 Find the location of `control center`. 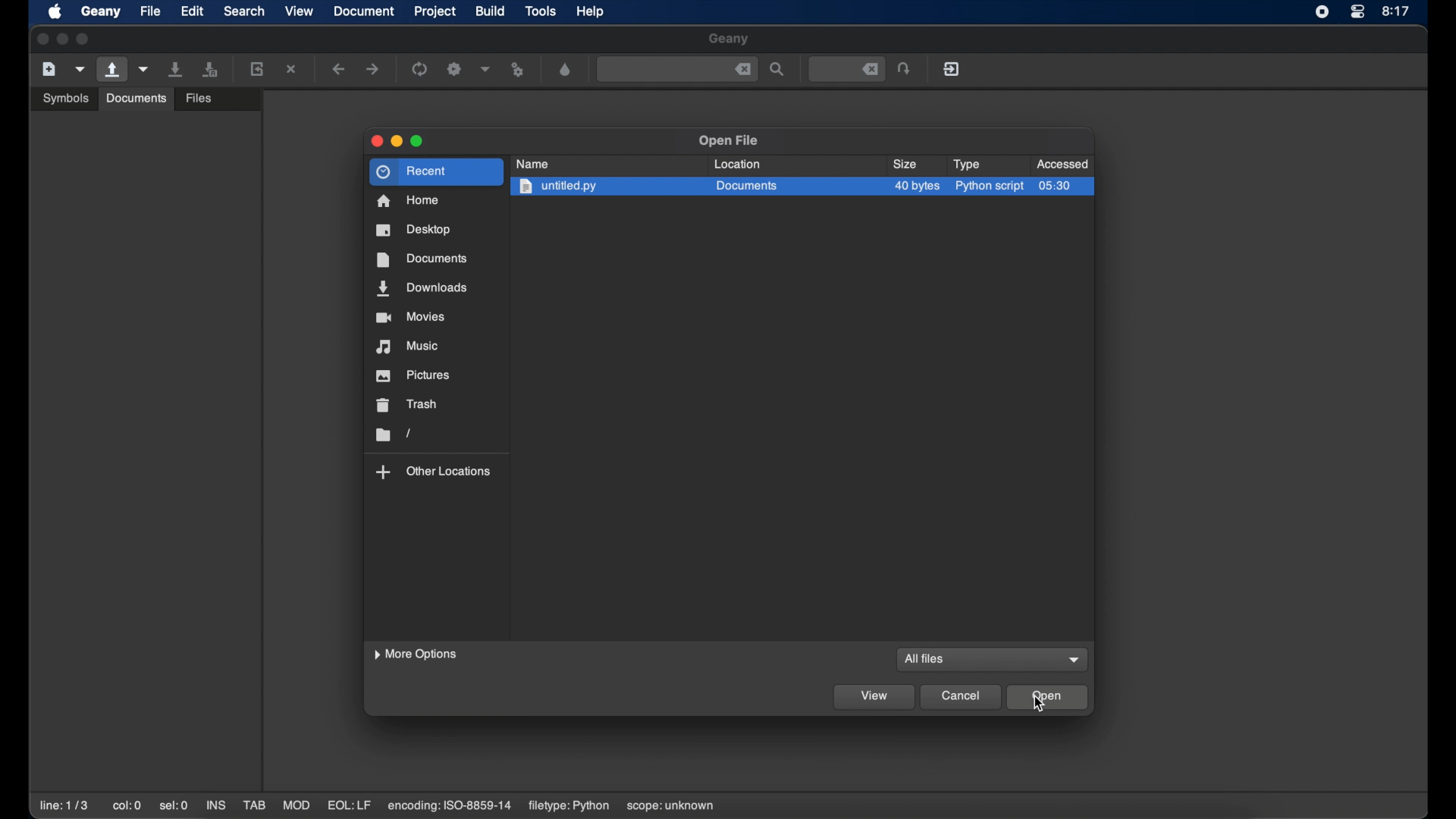

control center is located at coordinates (1357, 12).